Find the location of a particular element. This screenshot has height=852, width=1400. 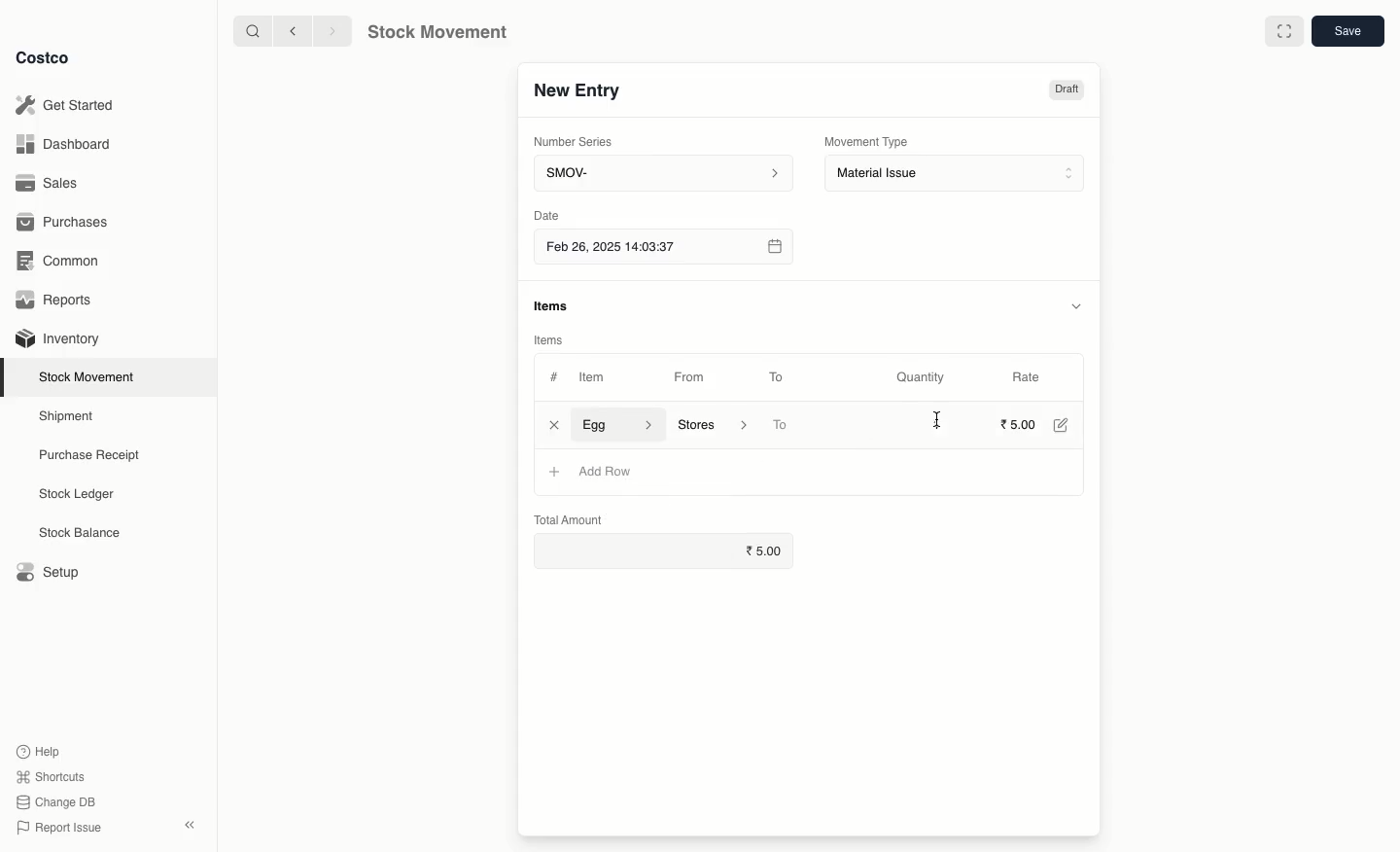

5.00 is located at coordinates (768, 550).